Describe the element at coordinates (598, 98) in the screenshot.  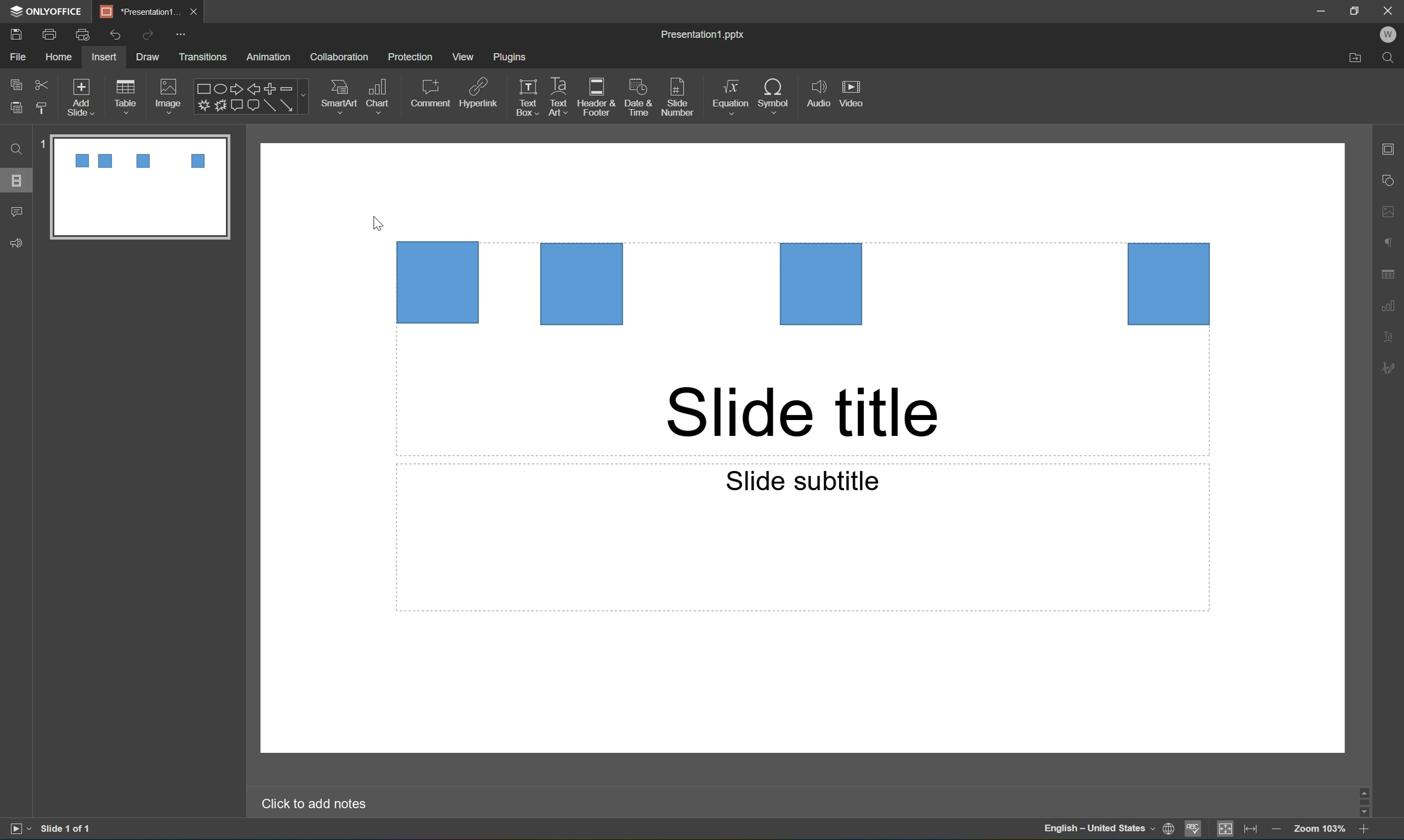
I see `header & footer` at that location.